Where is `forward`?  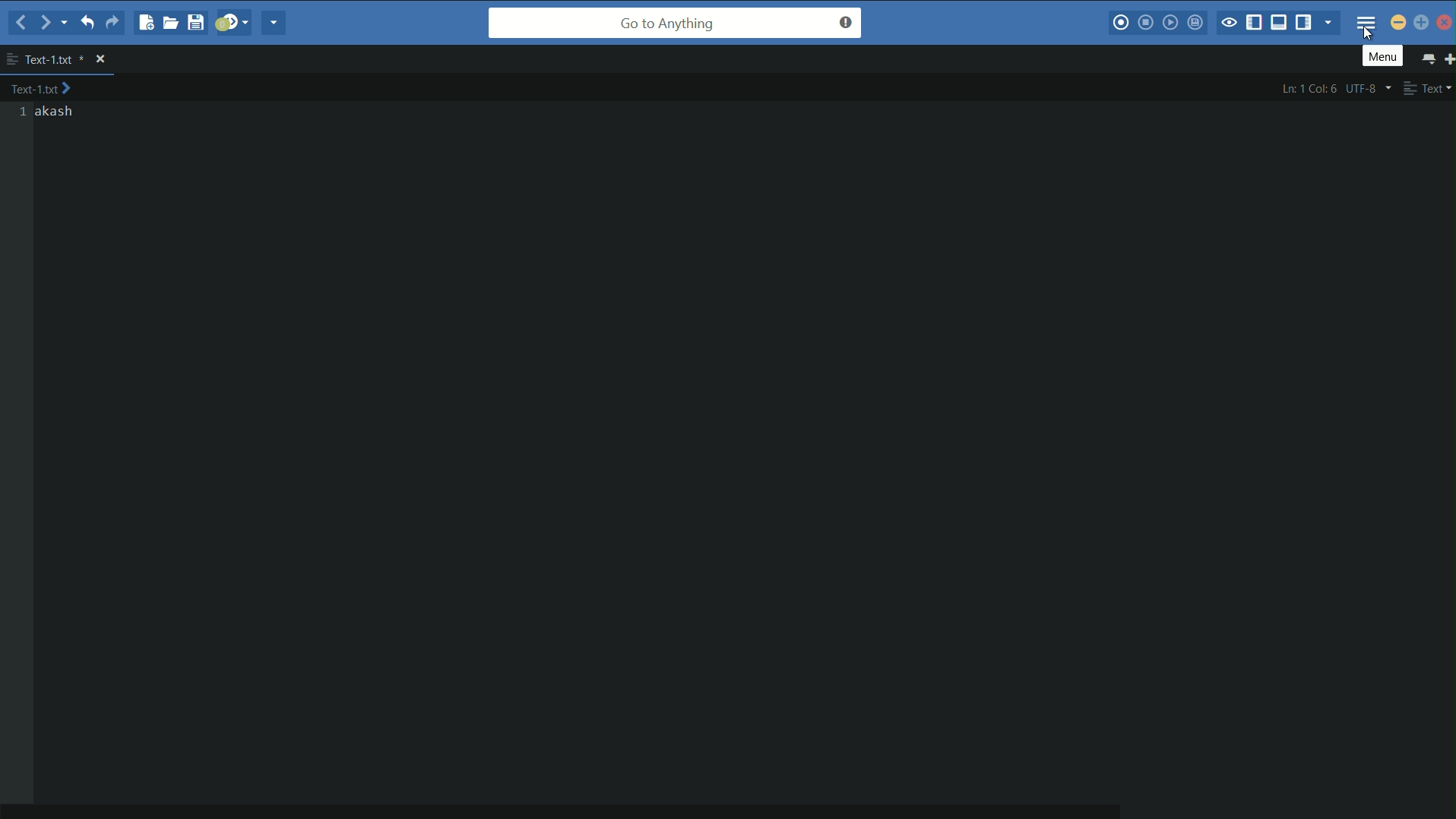 forward is located at coordinates (53, 23).